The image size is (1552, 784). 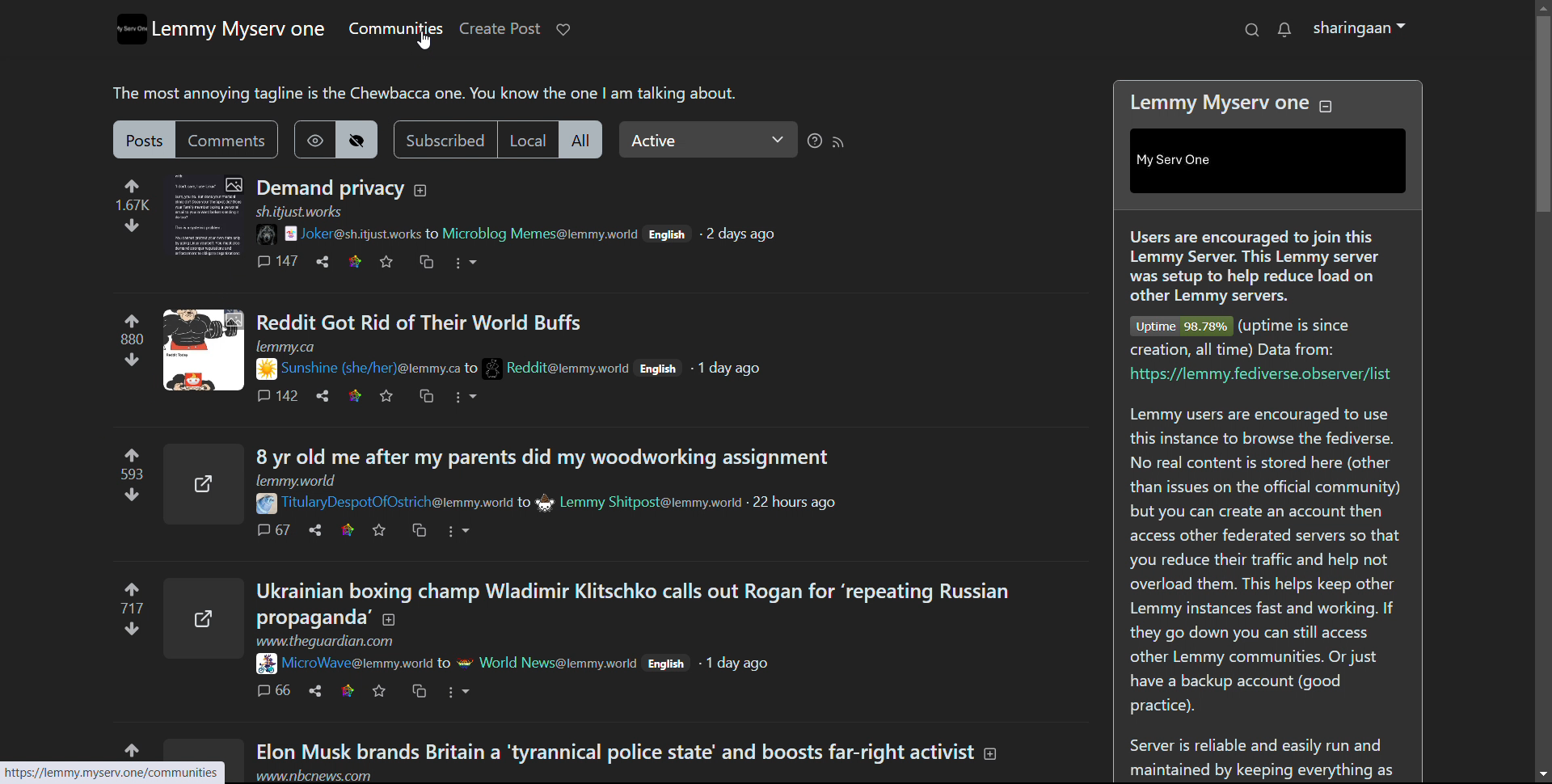 I want to click on downvote, so click(x=130, y=359).